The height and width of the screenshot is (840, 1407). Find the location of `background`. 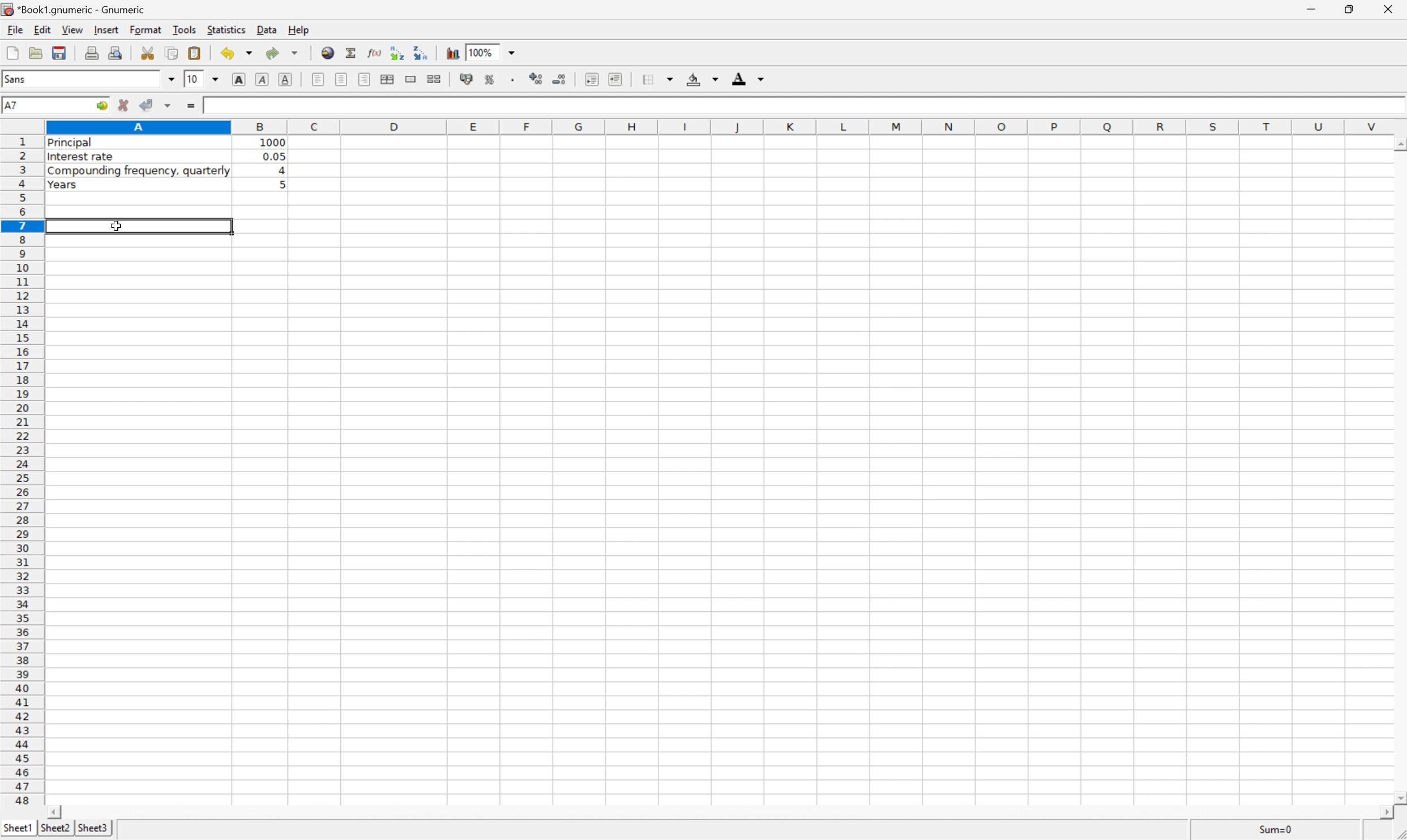

background is located at coordinates (703, 79).